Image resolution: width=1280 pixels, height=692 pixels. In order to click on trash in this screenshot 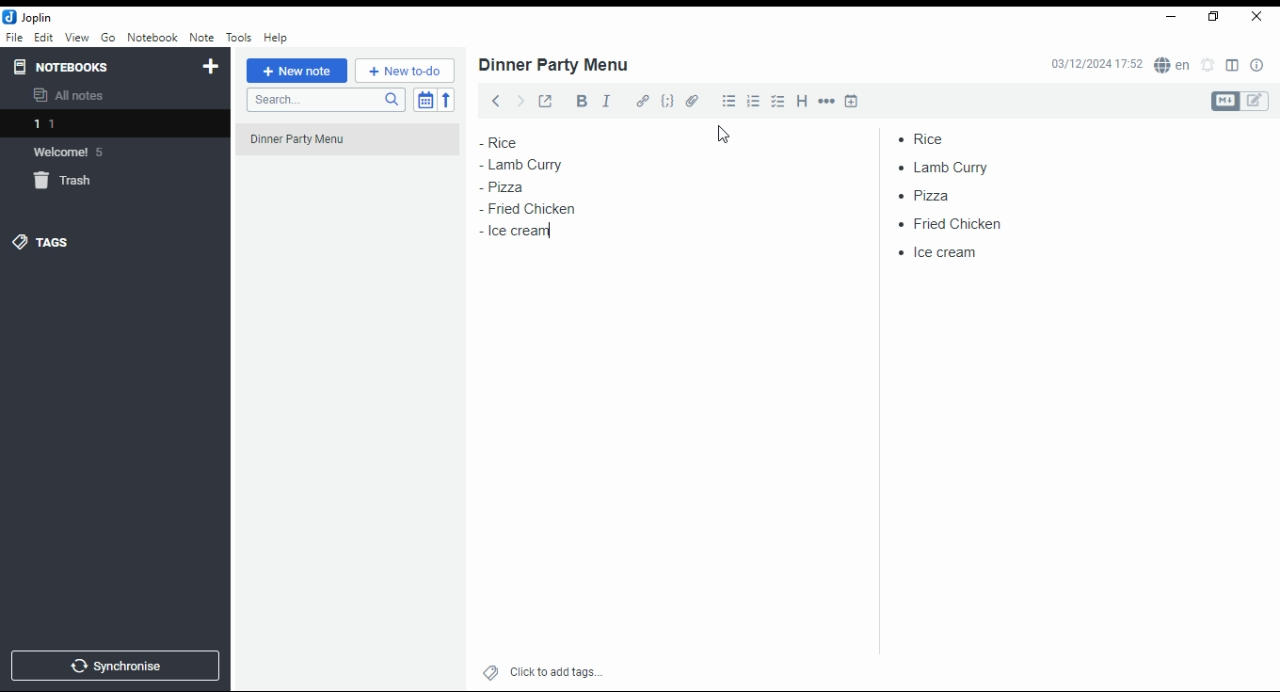, I will do `click(66, 181)`.